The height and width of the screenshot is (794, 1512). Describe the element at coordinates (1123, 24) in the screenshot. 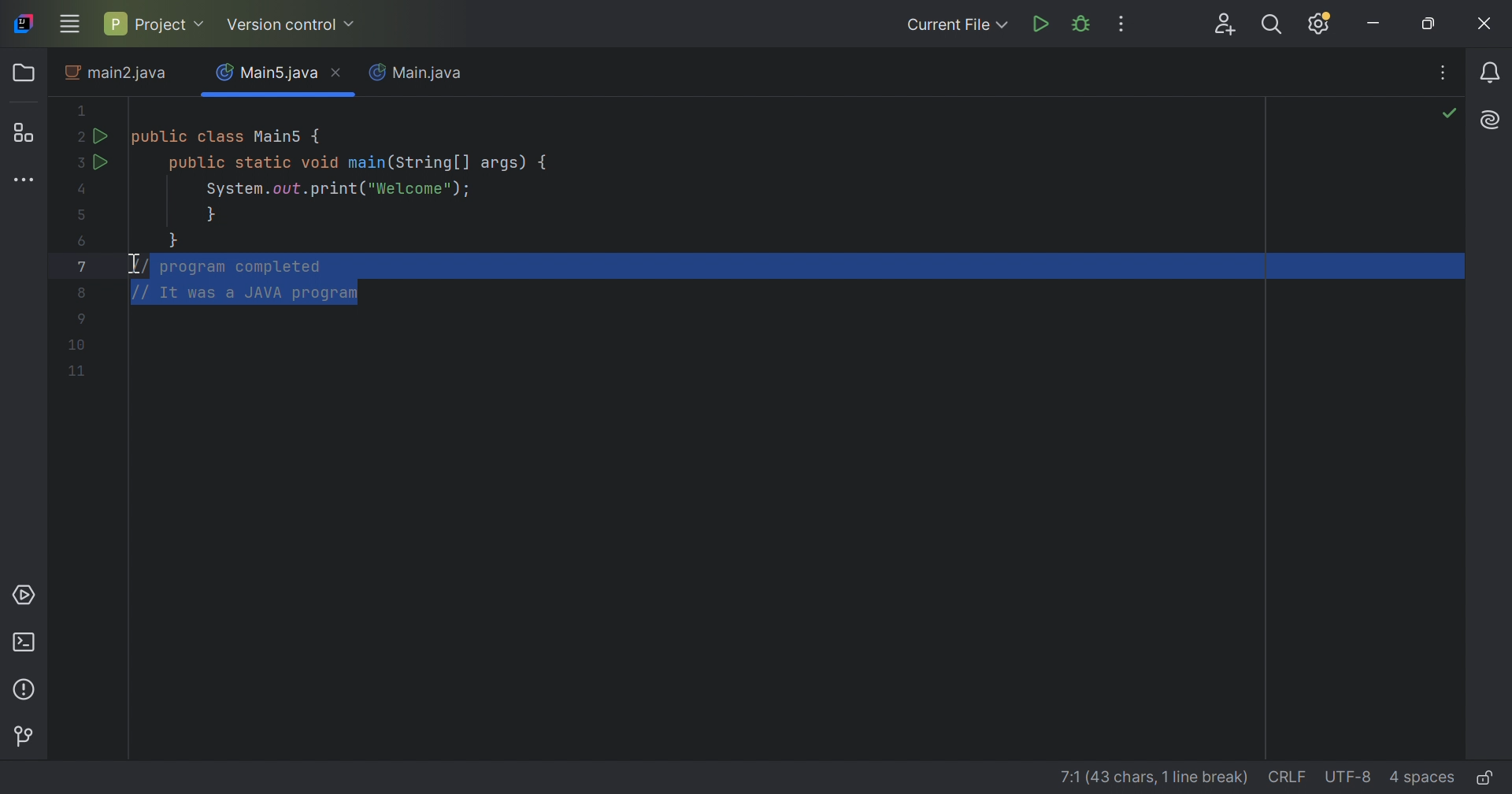

I see `More Actions` at that location.